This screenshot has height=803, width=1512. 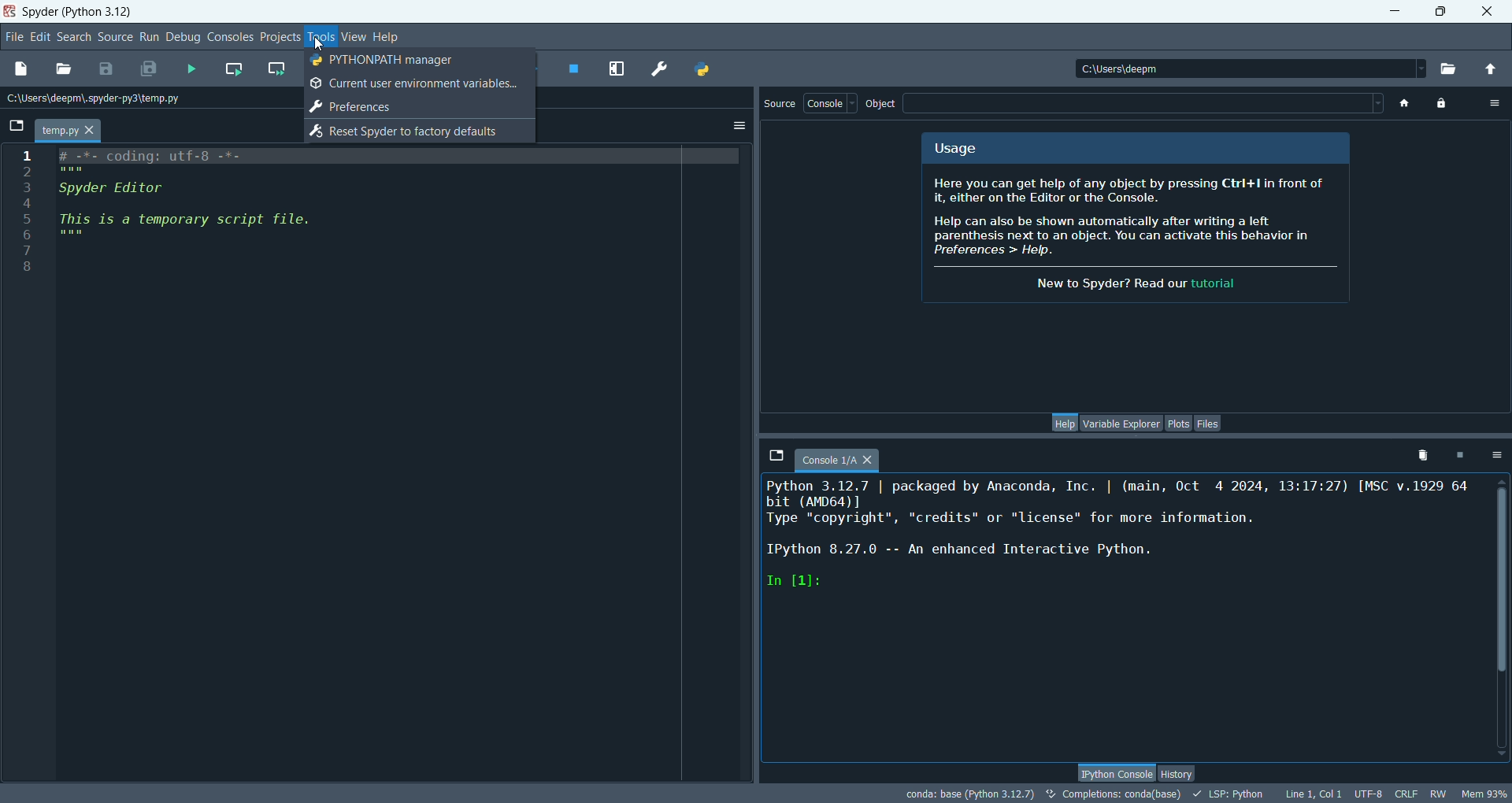 What do you see at coordinates (321, 42) in the screenshot?
I see `cursor` at bounding box center [321, 42].